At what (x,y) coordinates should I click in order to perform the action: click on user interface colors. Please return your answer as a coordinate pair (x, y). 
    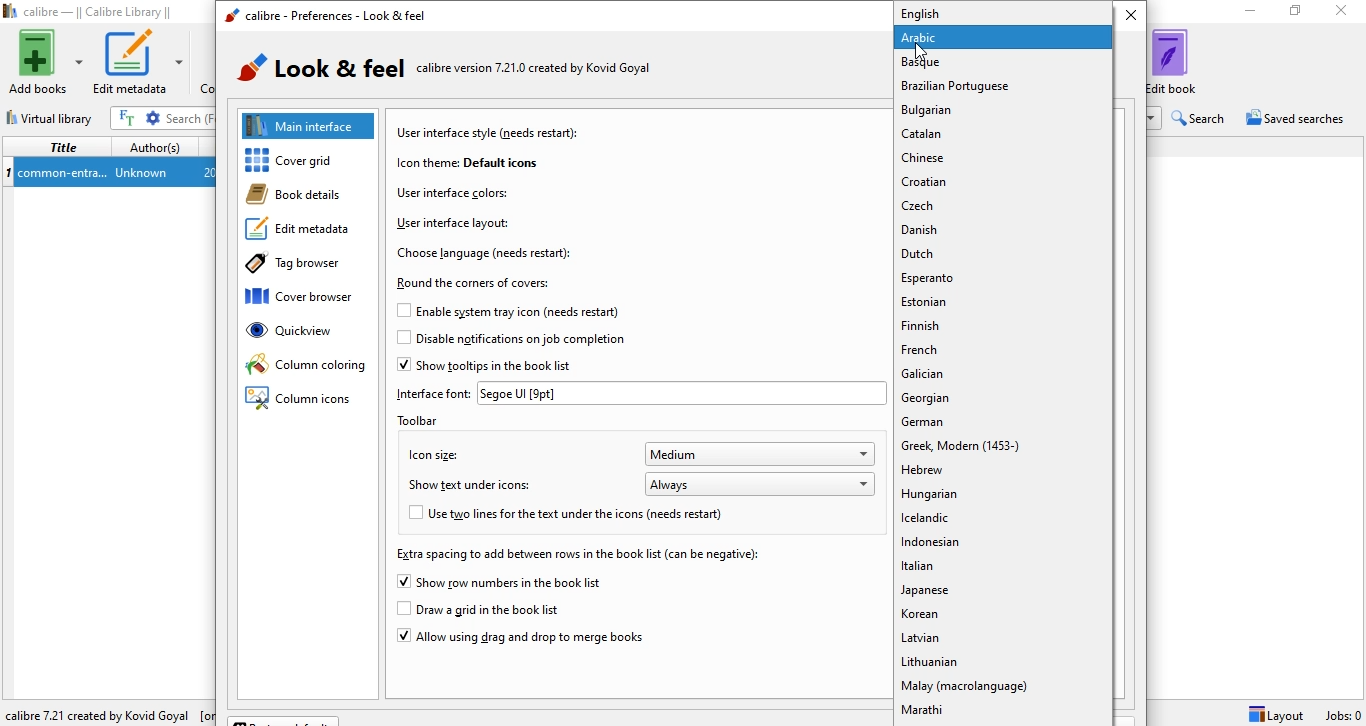
    Looking at the image, I should click on (452, 191).